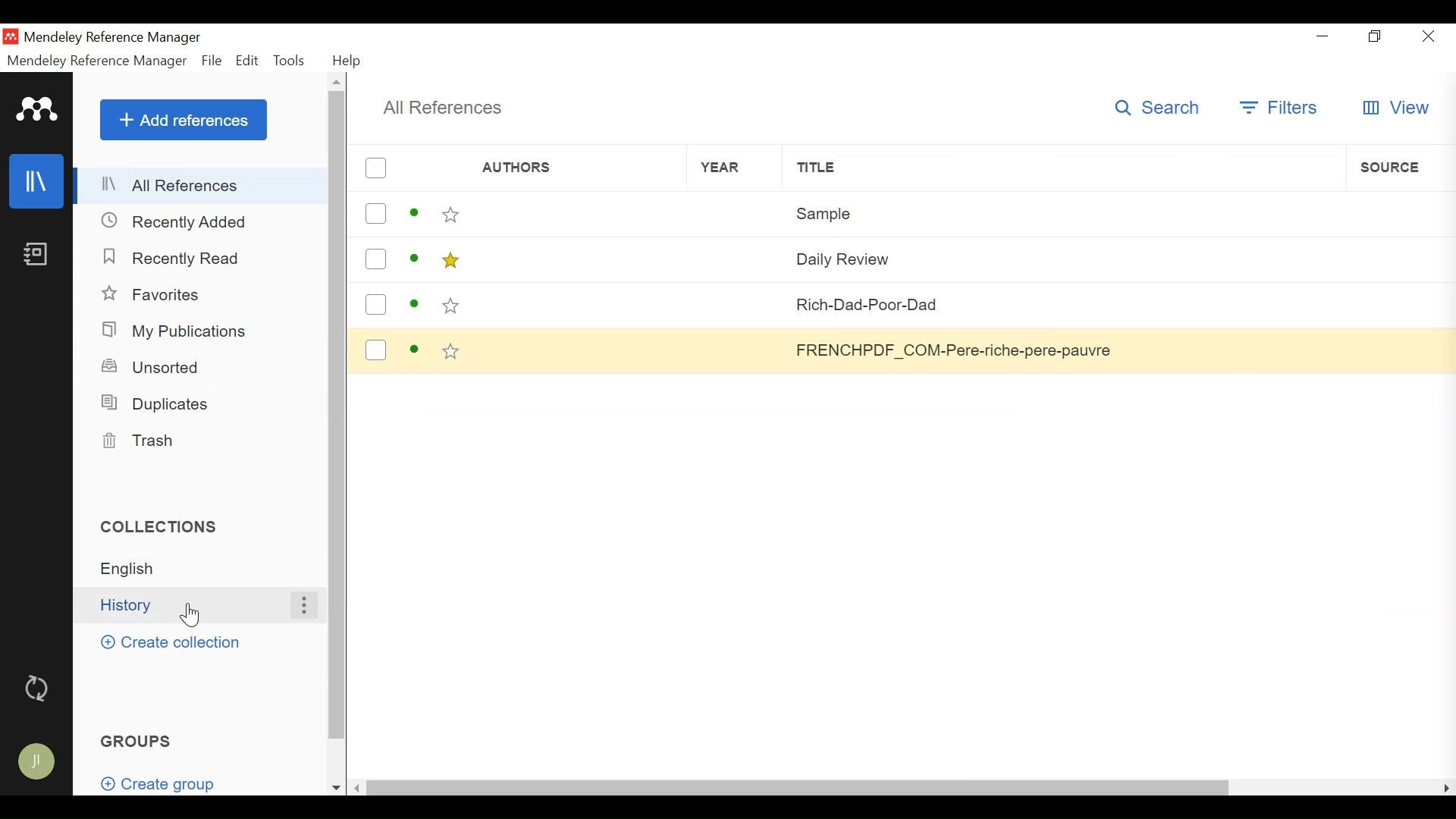 The height and width of the screenshot is (819, 1456). I want to click on (un)select, so click(375, 304).